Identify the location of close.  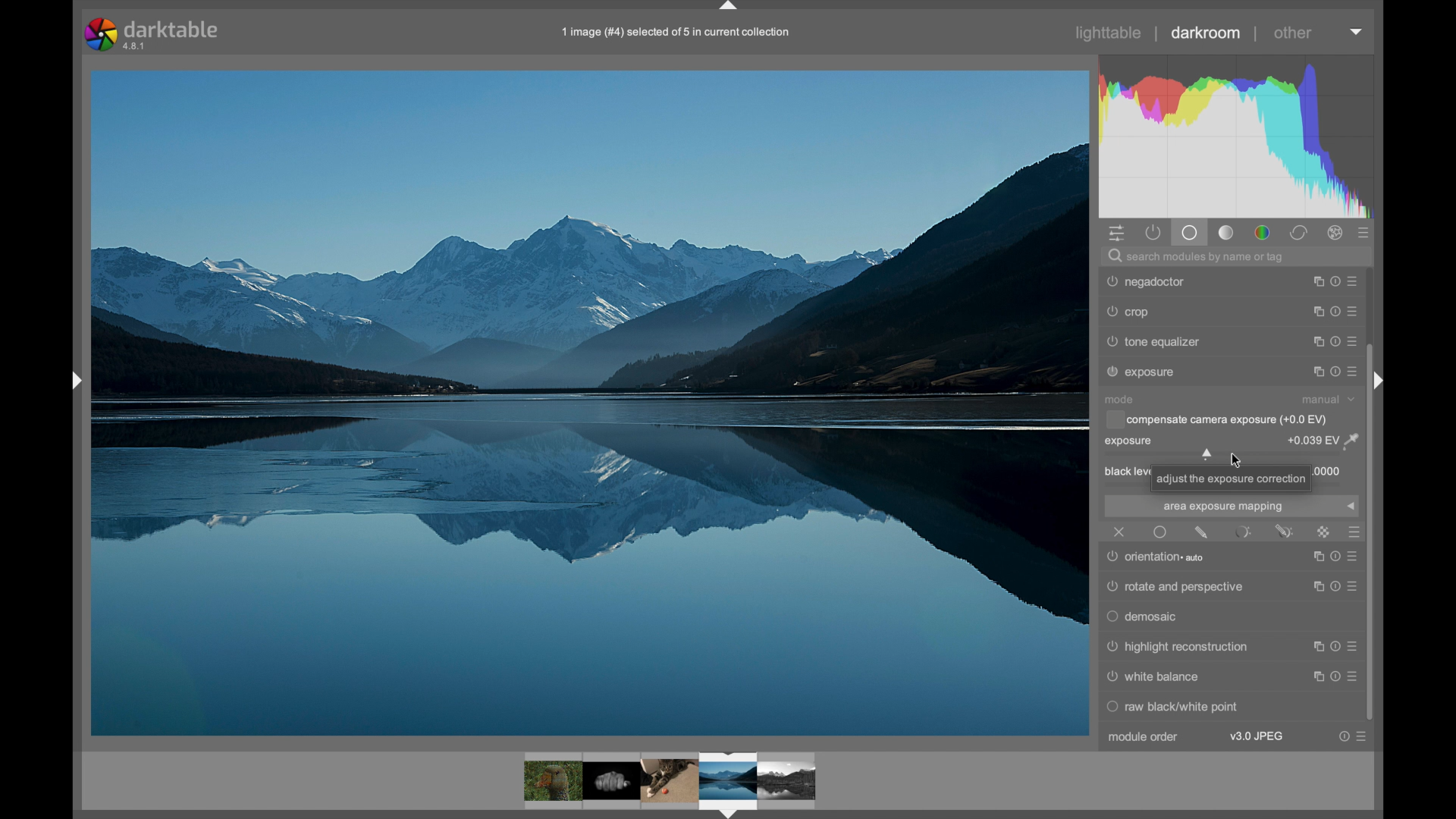
(1121, 532).